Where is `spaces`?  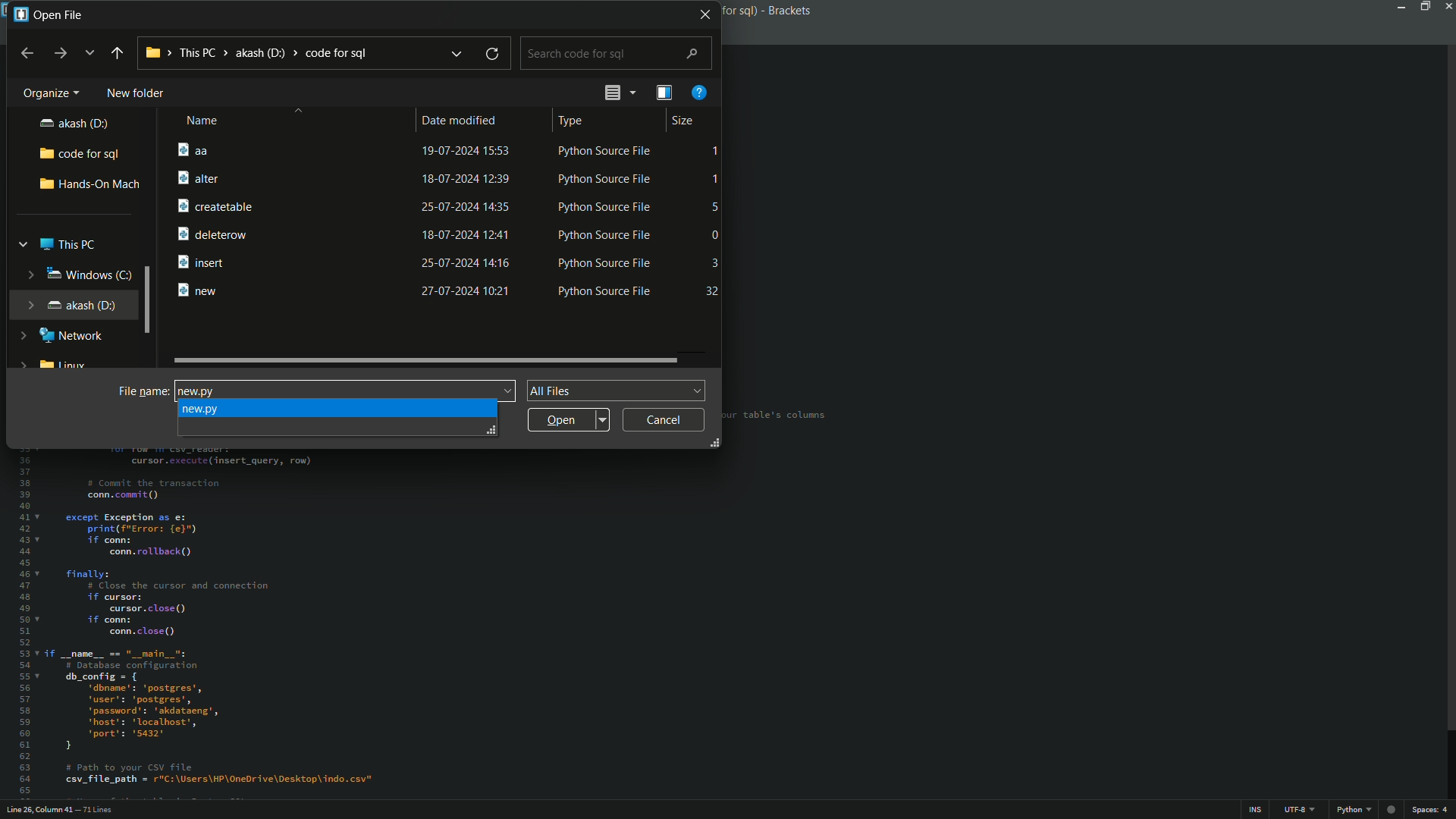
spaces is located at coordinates (1432, 812).